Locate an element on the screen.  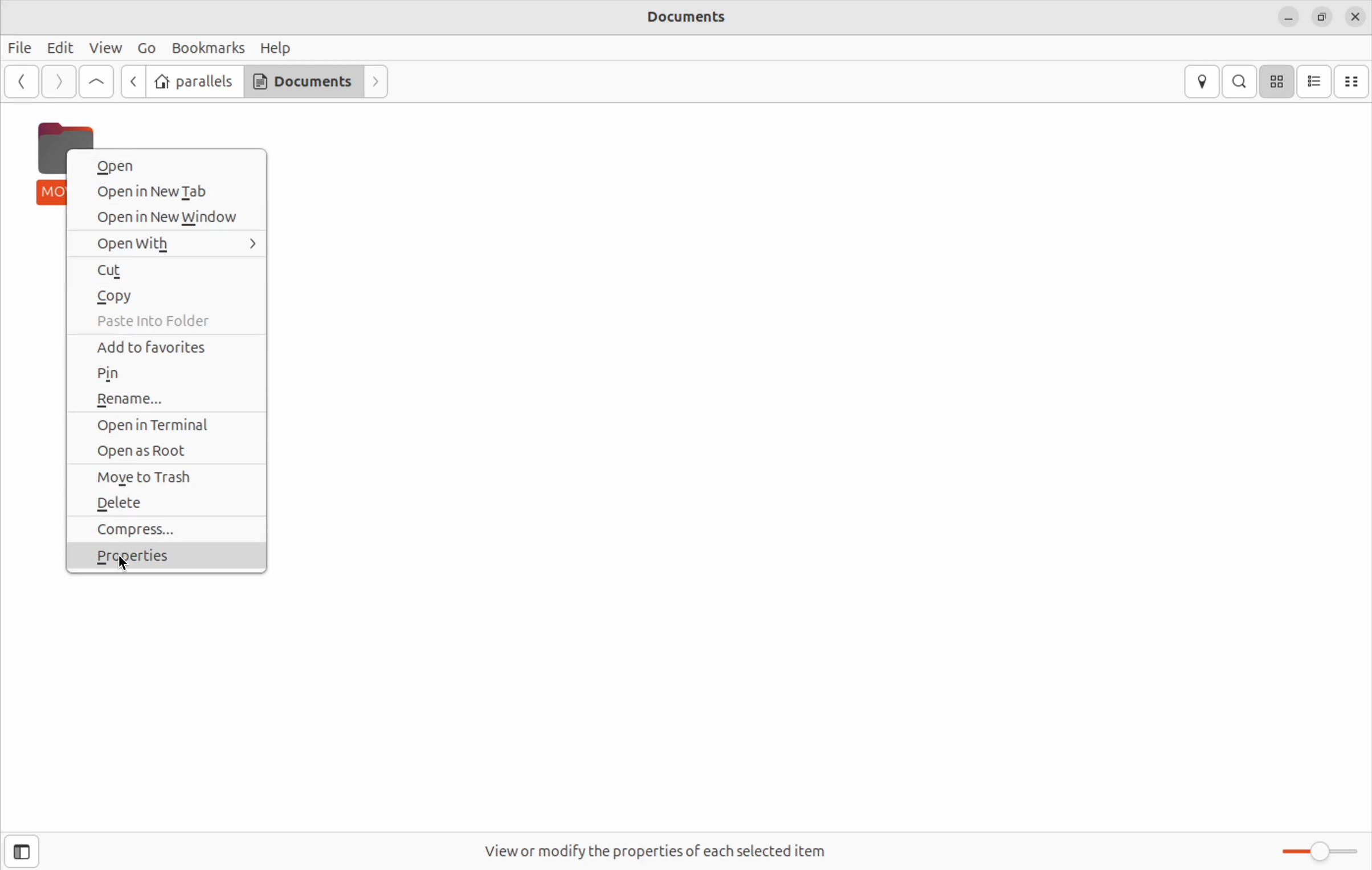
resize is located at coordinates (1321, 15).